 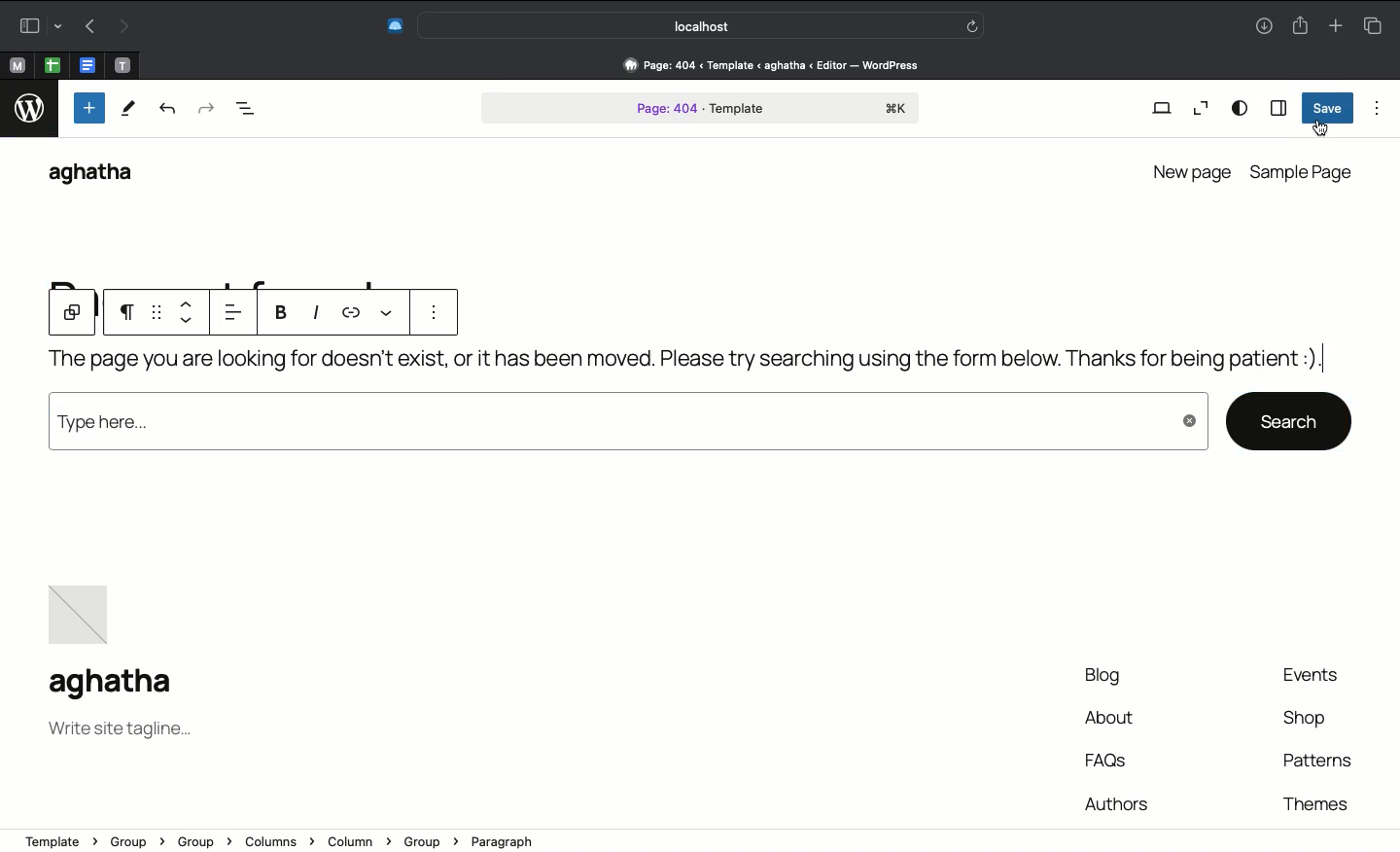 I want to click on logo, so click(x=28, y=112).